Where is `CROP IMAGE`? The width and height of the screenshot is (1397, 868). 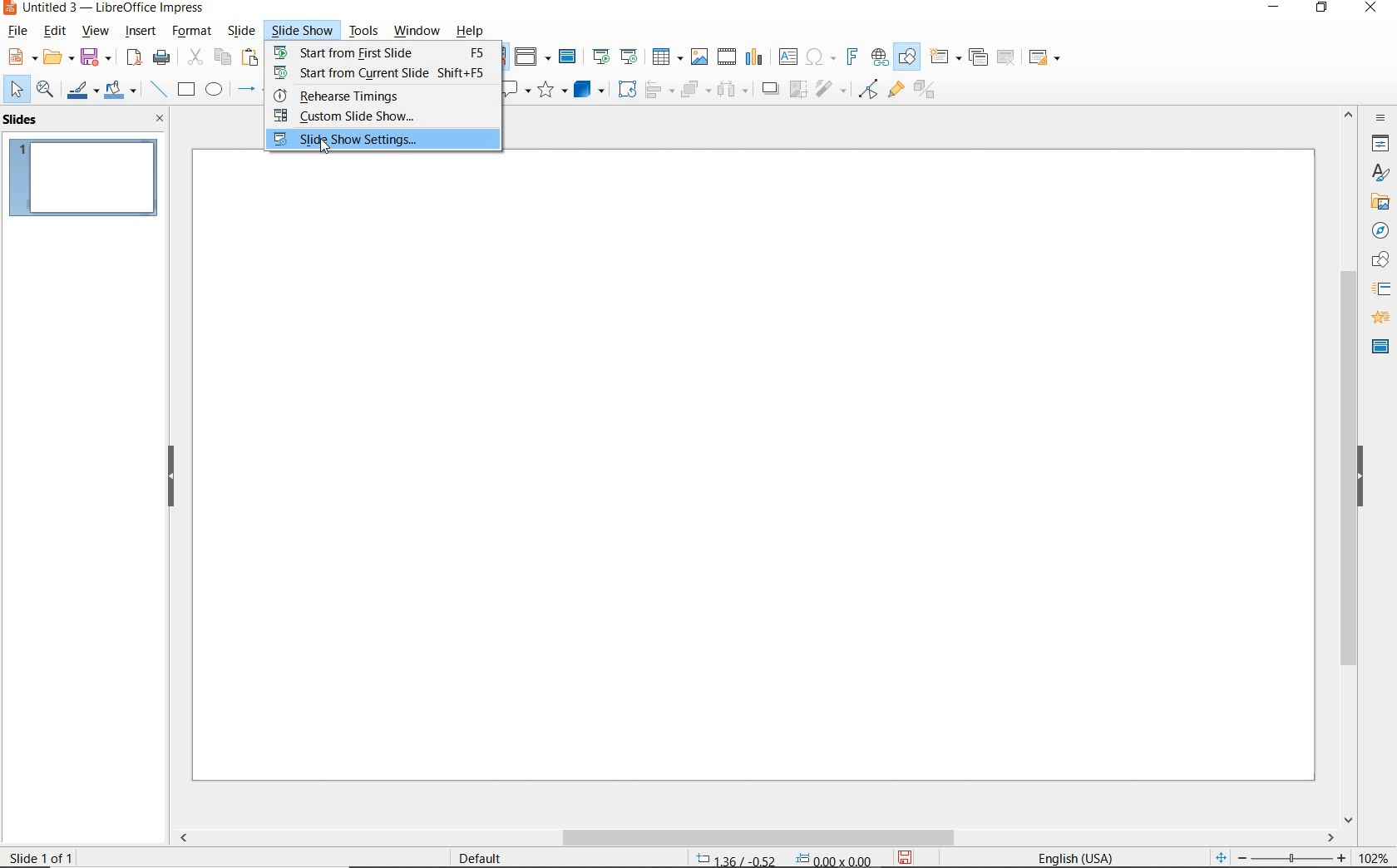
CROP IMAGE is located at coordinates (797, 90).